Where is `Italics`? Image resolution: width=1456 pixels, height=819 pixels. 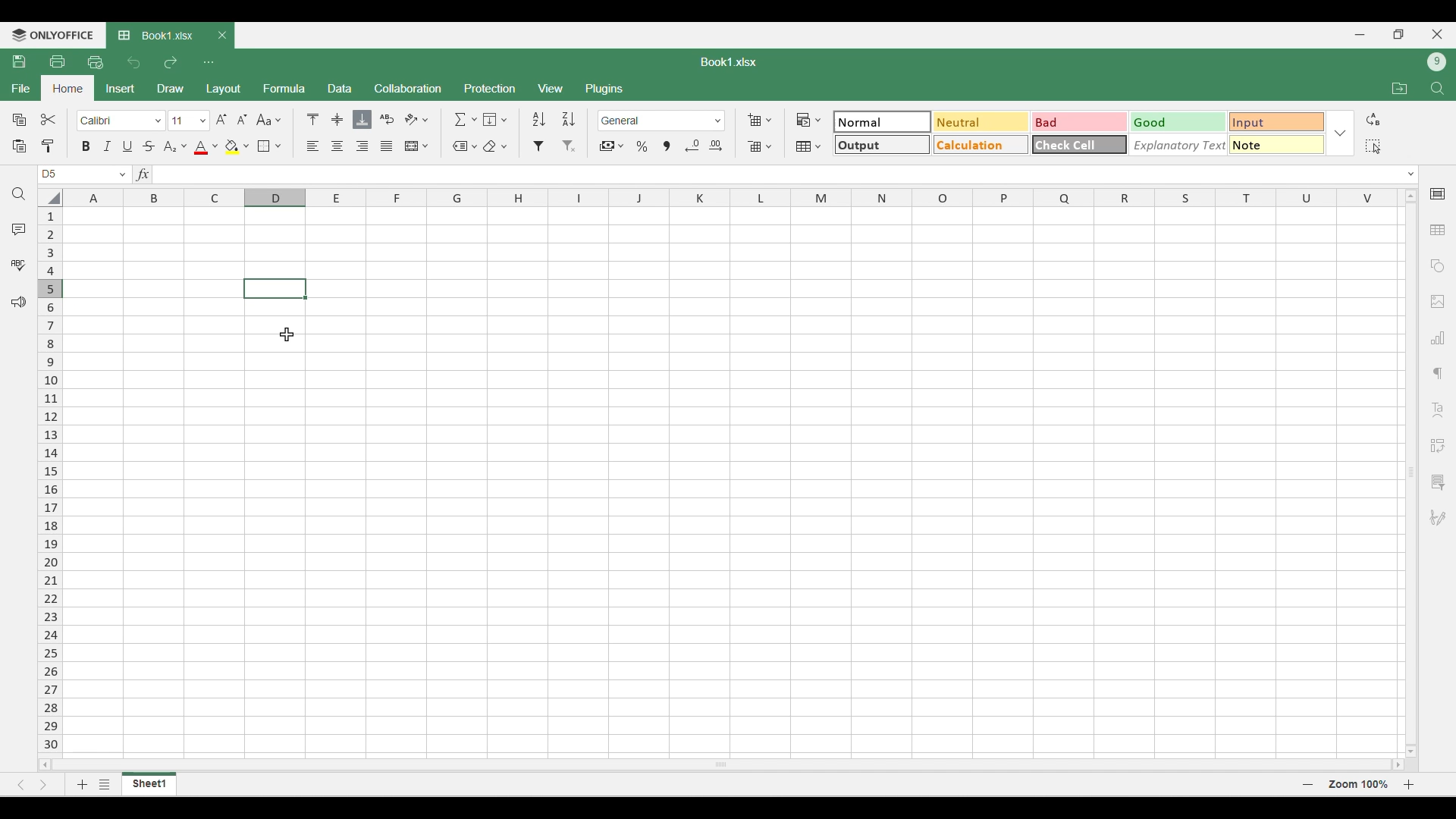
Italics is located at coordinates (107, 146).